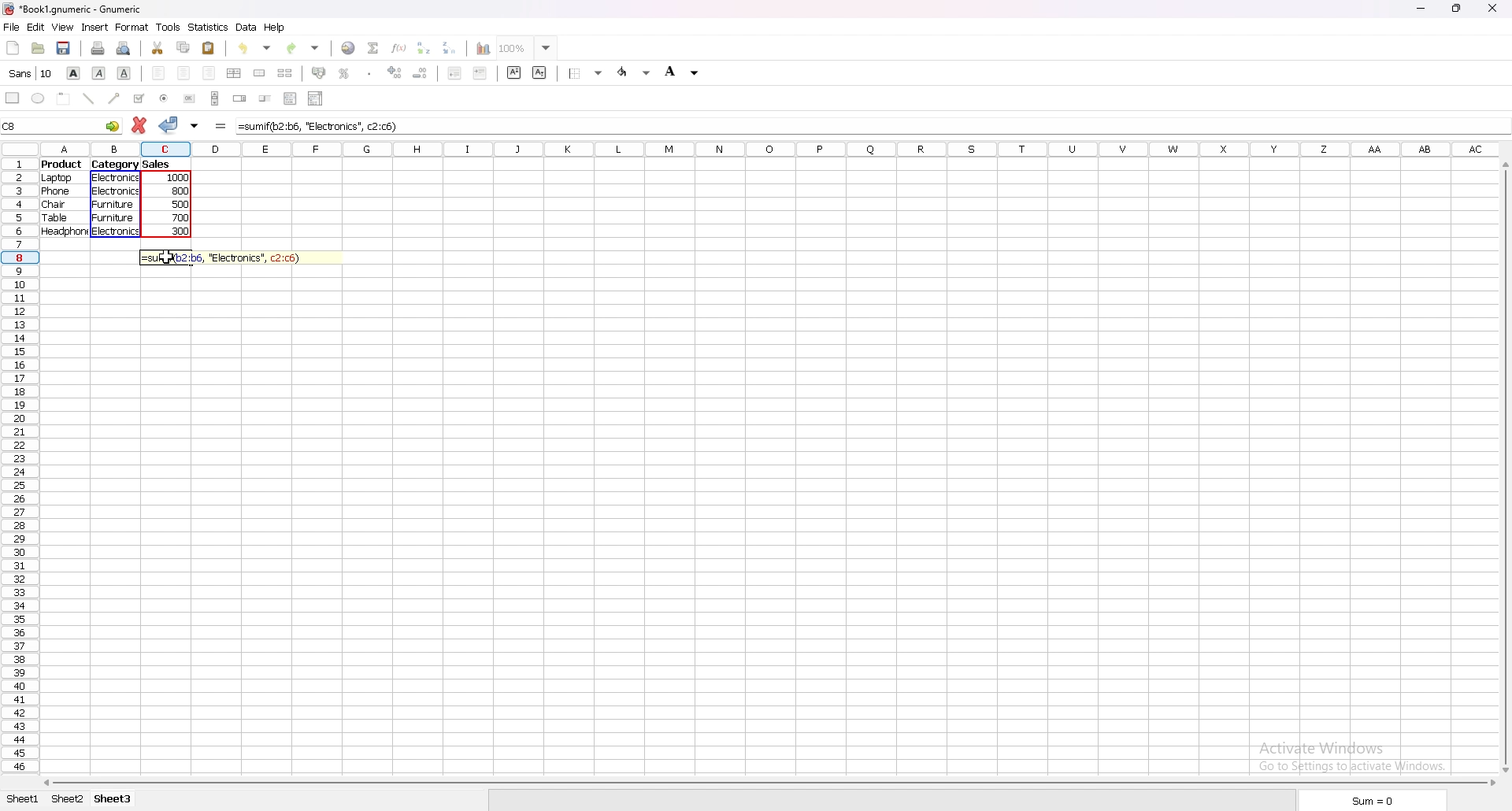 This screenshot has width=1512, height=811. What do you see at coordinates (56, 217) in the screenshot?
I see `table` at bounding box center [56, 217].